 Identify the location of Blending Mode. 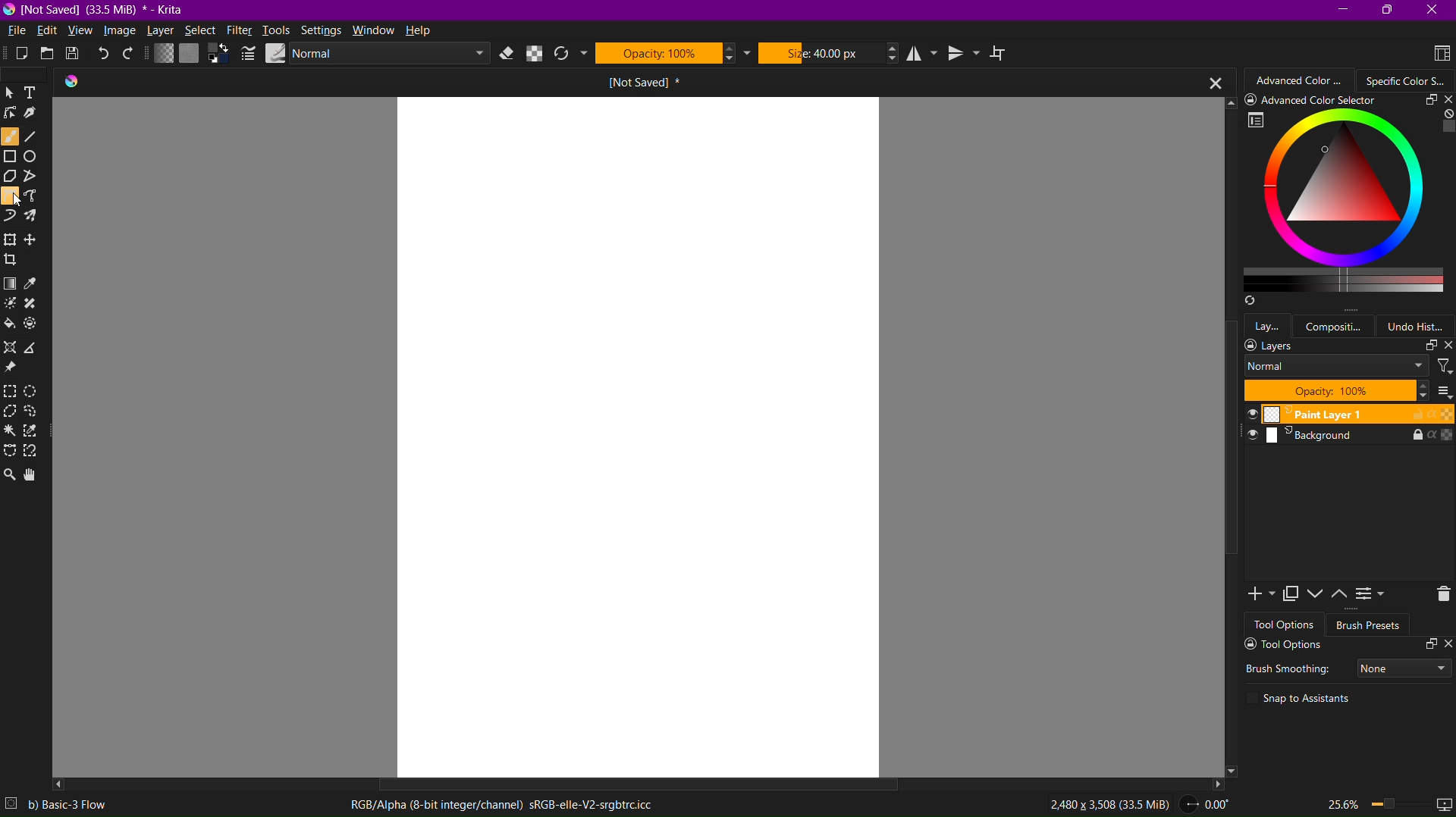
(374, 54).